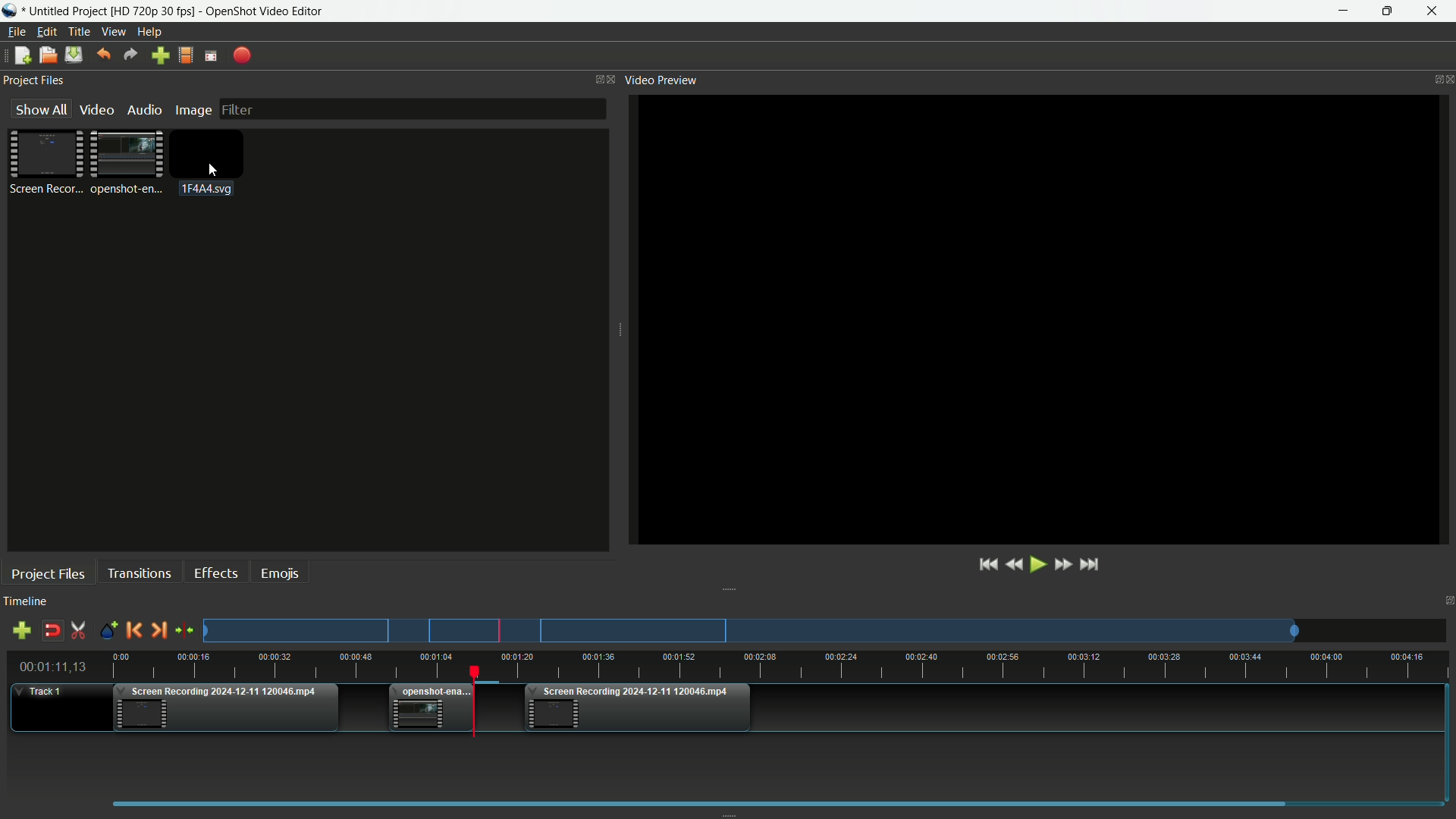  What do you see at coordinates (76, 33) in the screenshot?
I see `Title menu` at bounding box center [76, 33].